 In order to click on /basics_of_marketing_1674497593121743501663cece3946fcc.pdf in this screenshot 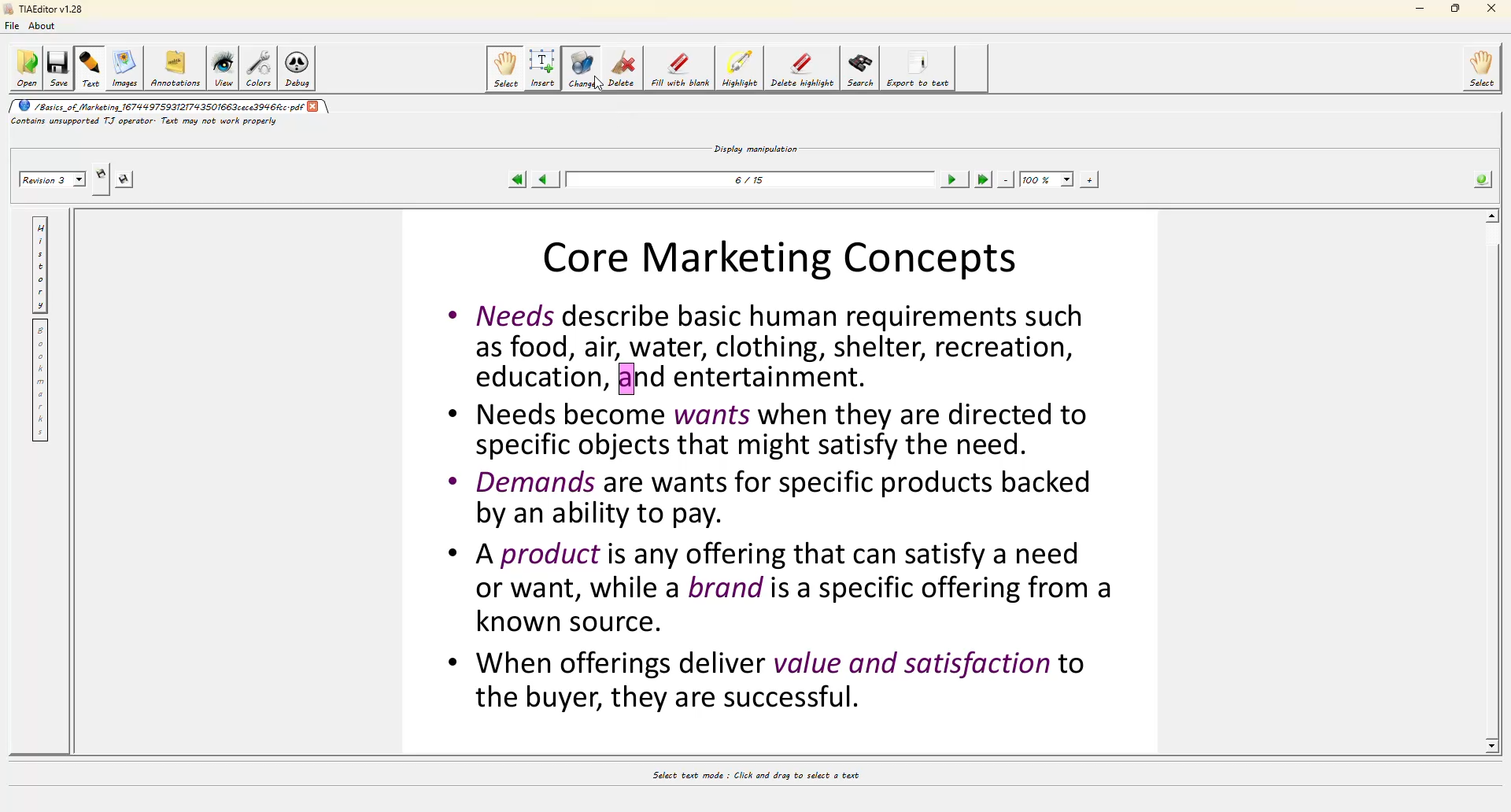, I will do `click(157, 105)`.